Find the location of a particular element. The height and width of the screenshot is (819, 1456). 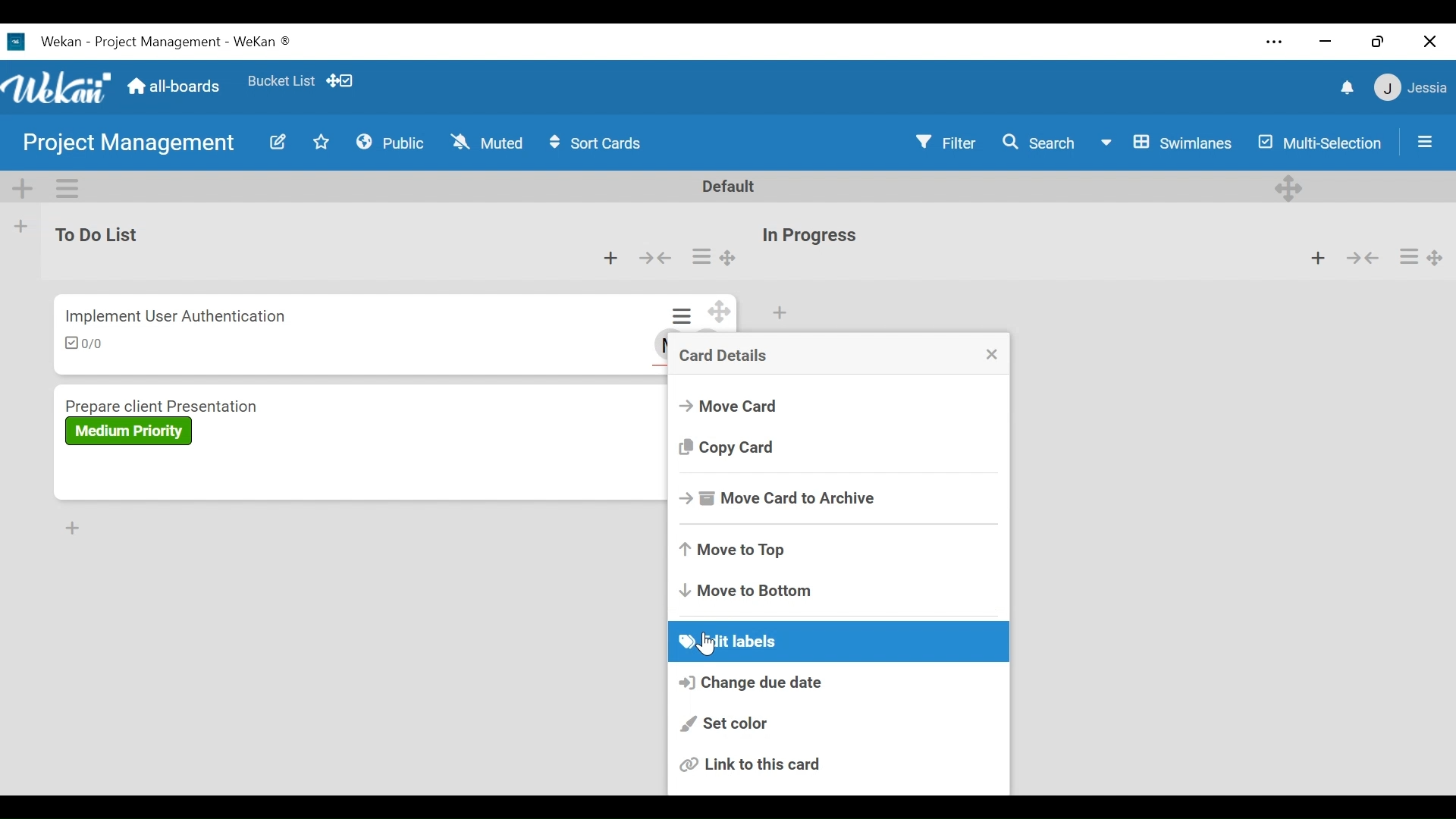

List Name is located at coordinates (94, 234).